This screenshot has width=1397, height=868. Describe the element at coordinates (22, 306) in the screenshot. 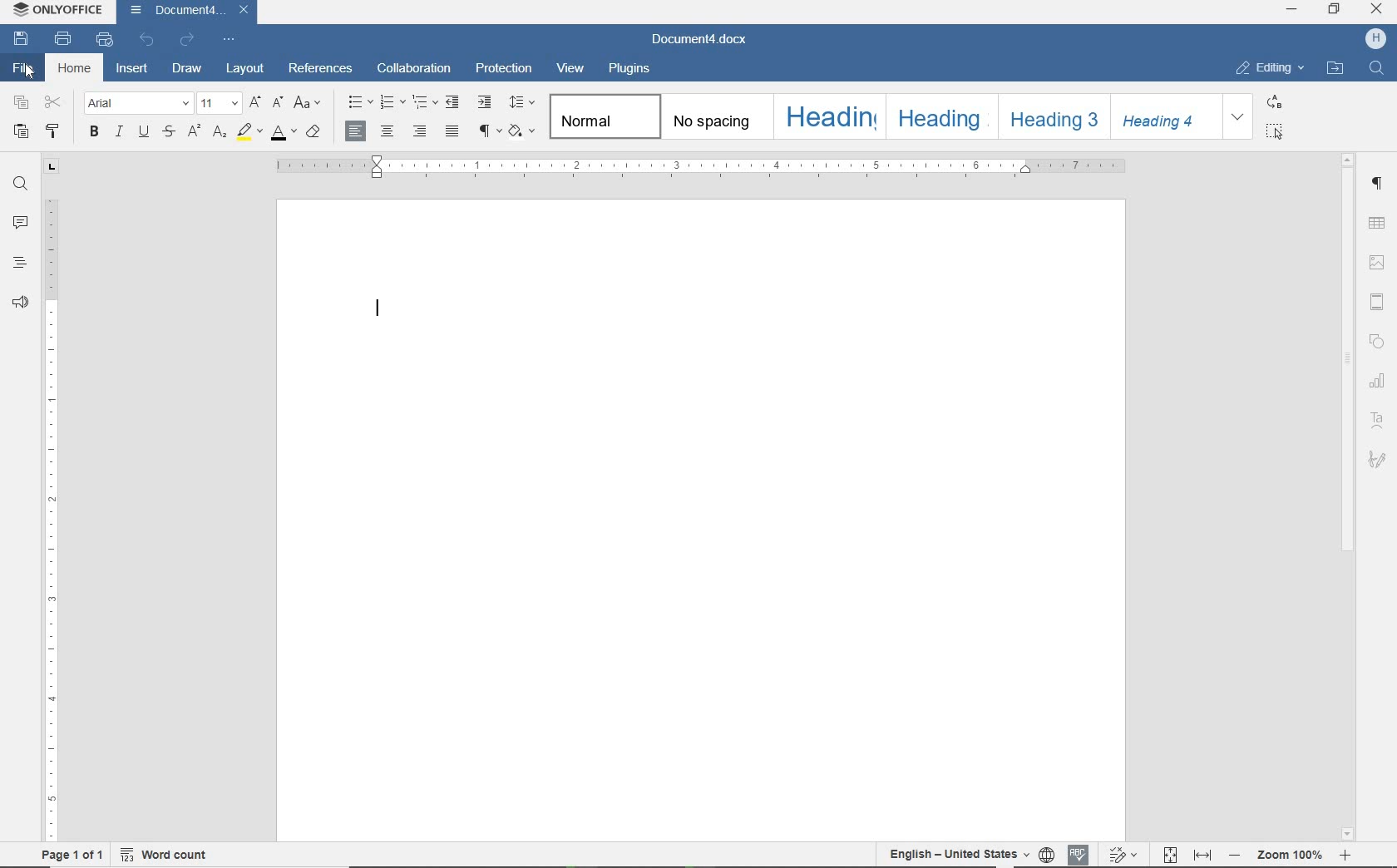

I see `feedback & support` at that location.